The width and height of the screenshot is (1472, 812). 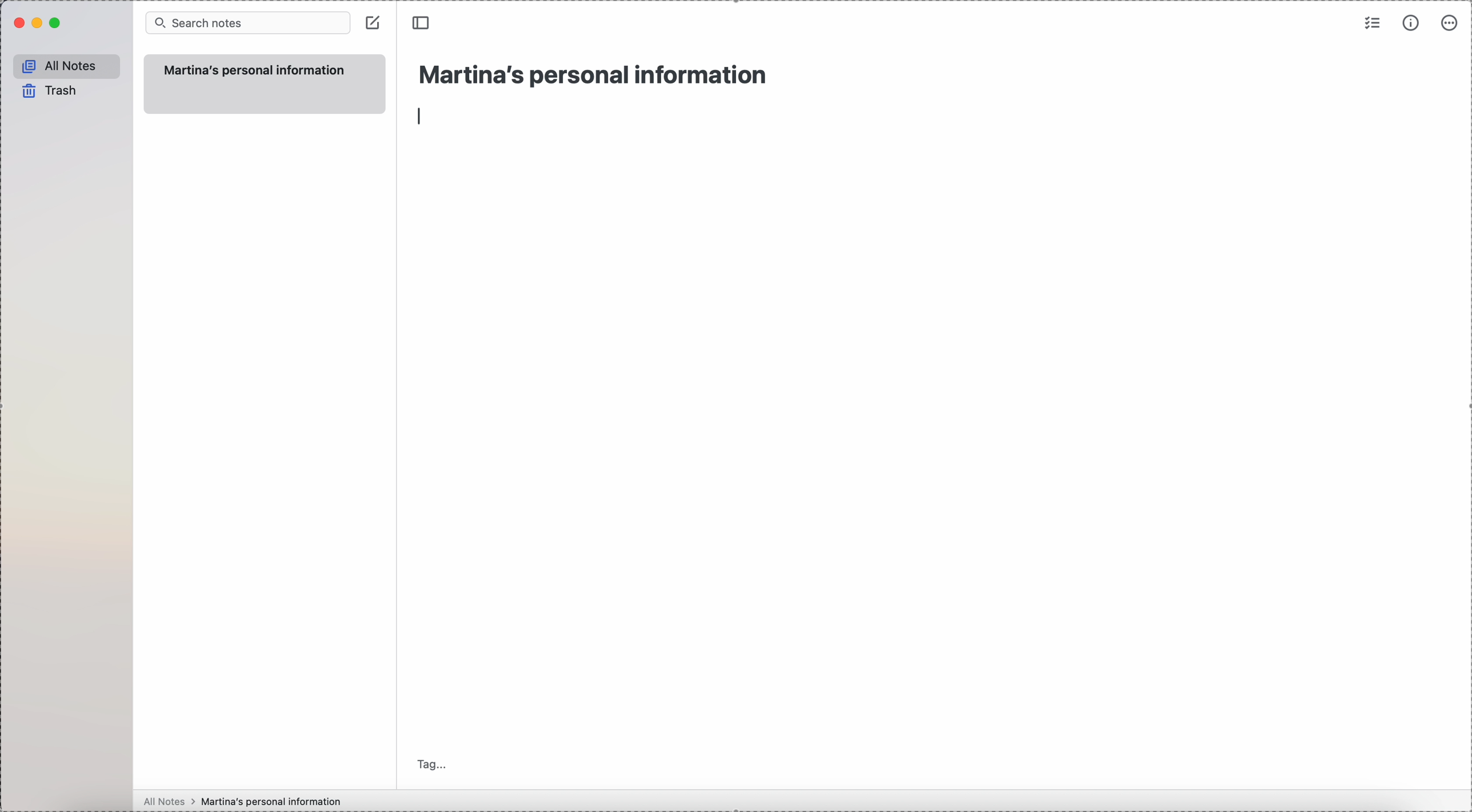 What do you see at coordinates (47, 90) in the screenshot?
I see `trash` at bounding box center [47, 90].